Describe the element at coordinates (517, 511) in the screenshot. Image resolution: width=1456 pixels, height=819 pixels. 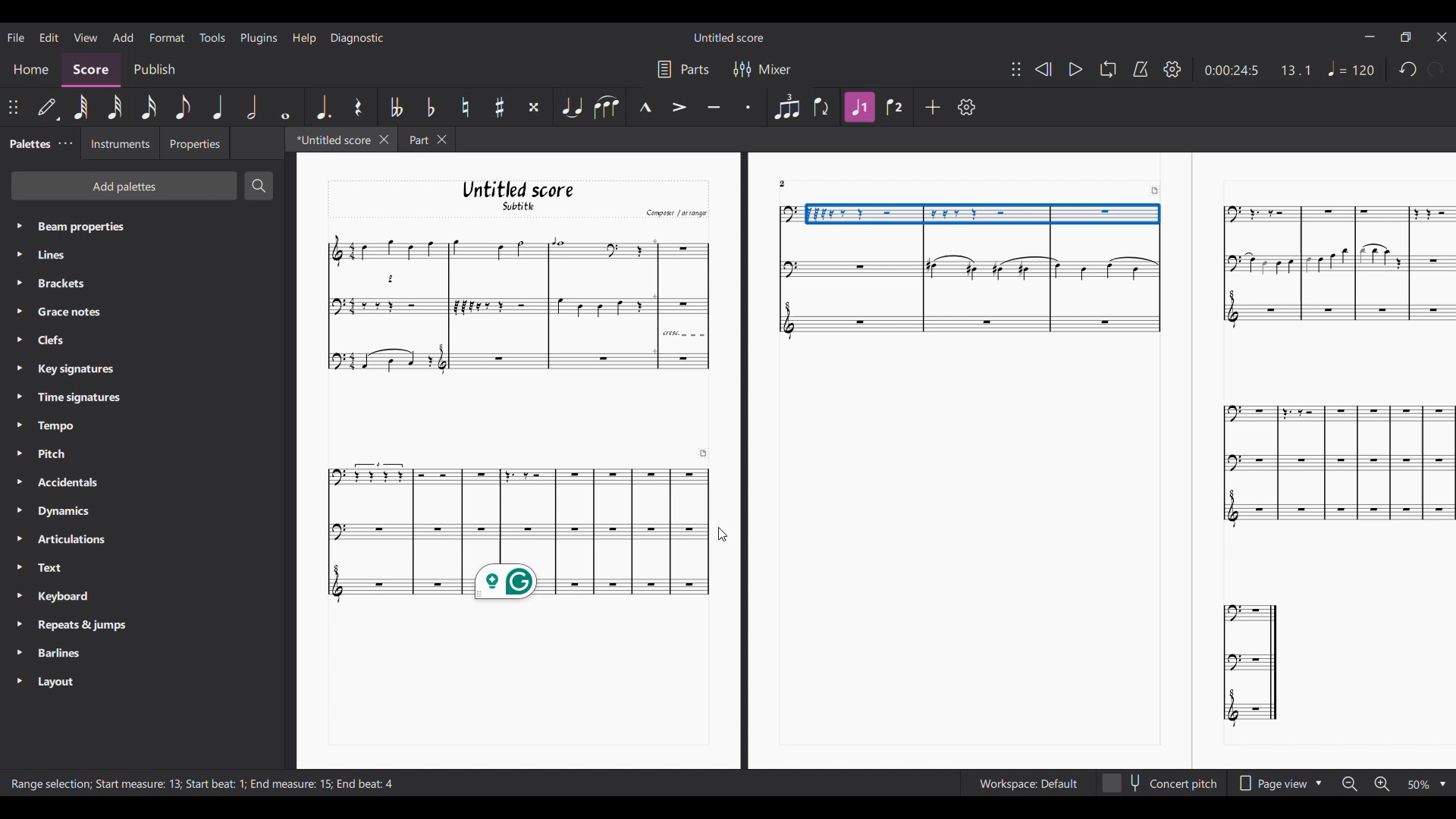
I see `Graph` at that location.